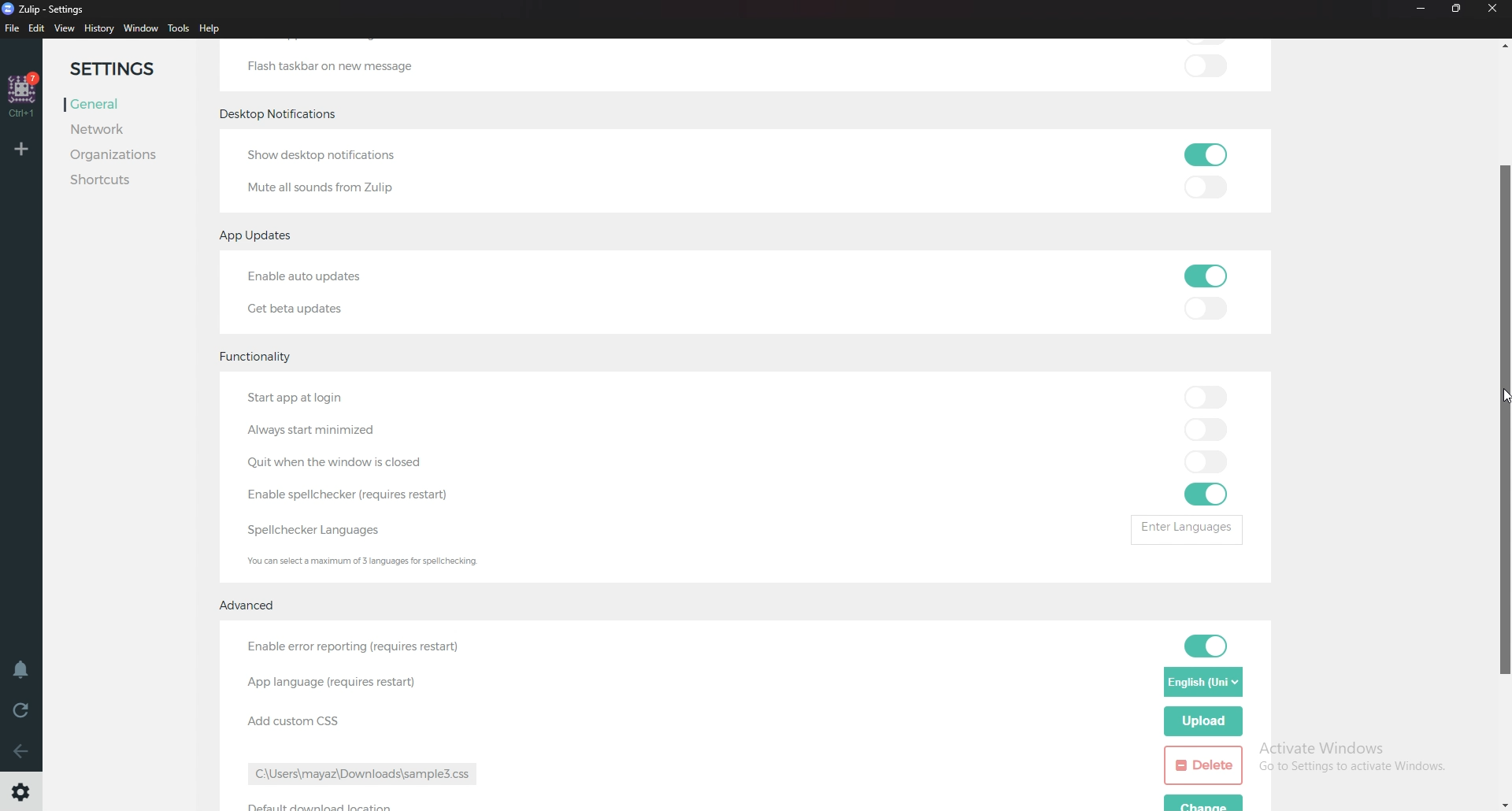  I want to click on toggle, so click(1211, 646).